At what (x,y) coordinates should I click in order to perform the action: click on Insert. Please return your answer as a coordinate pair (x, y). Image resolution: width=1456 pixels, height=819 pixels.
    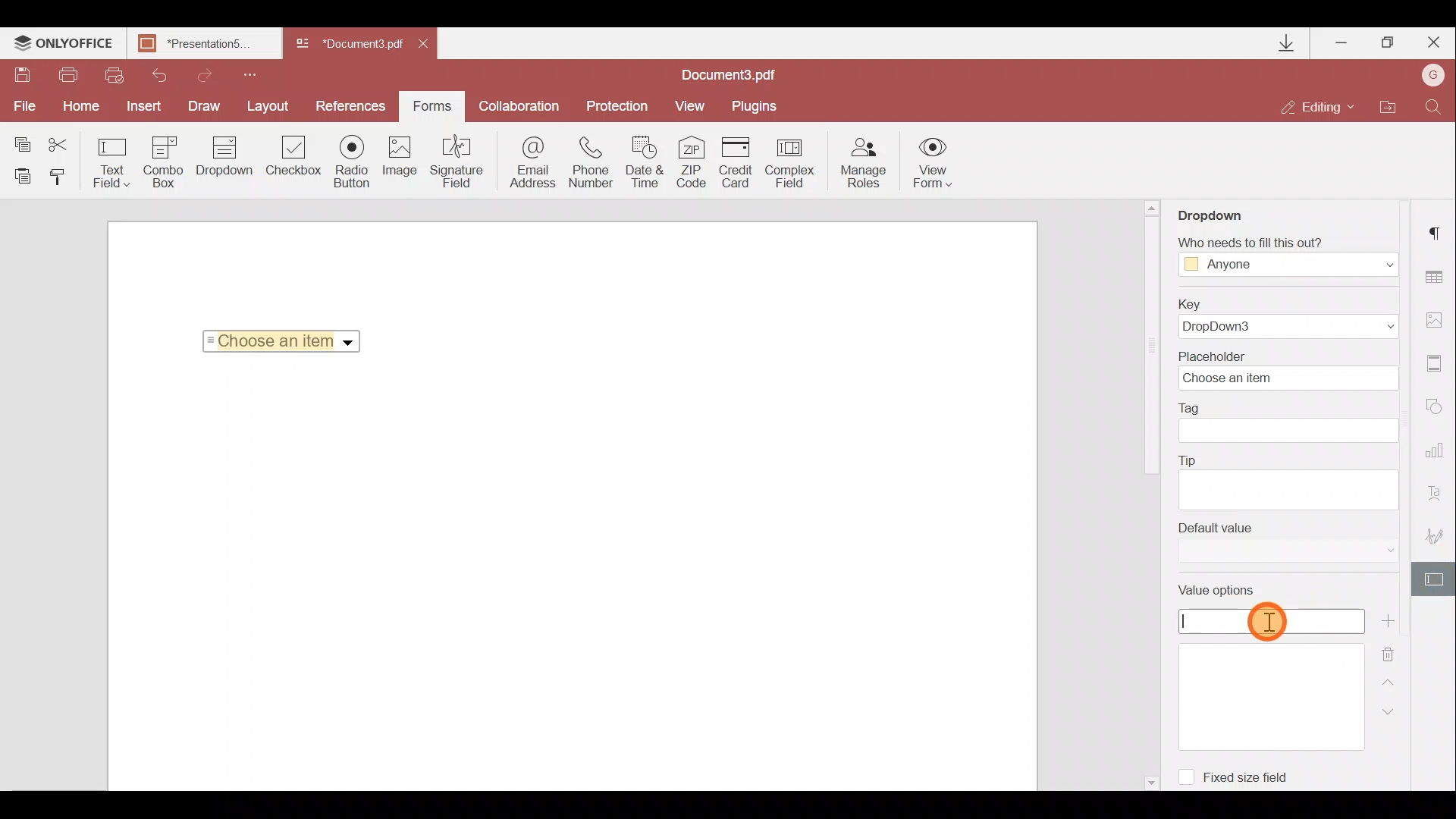
    Looking at the image, I should click on (147, 106).